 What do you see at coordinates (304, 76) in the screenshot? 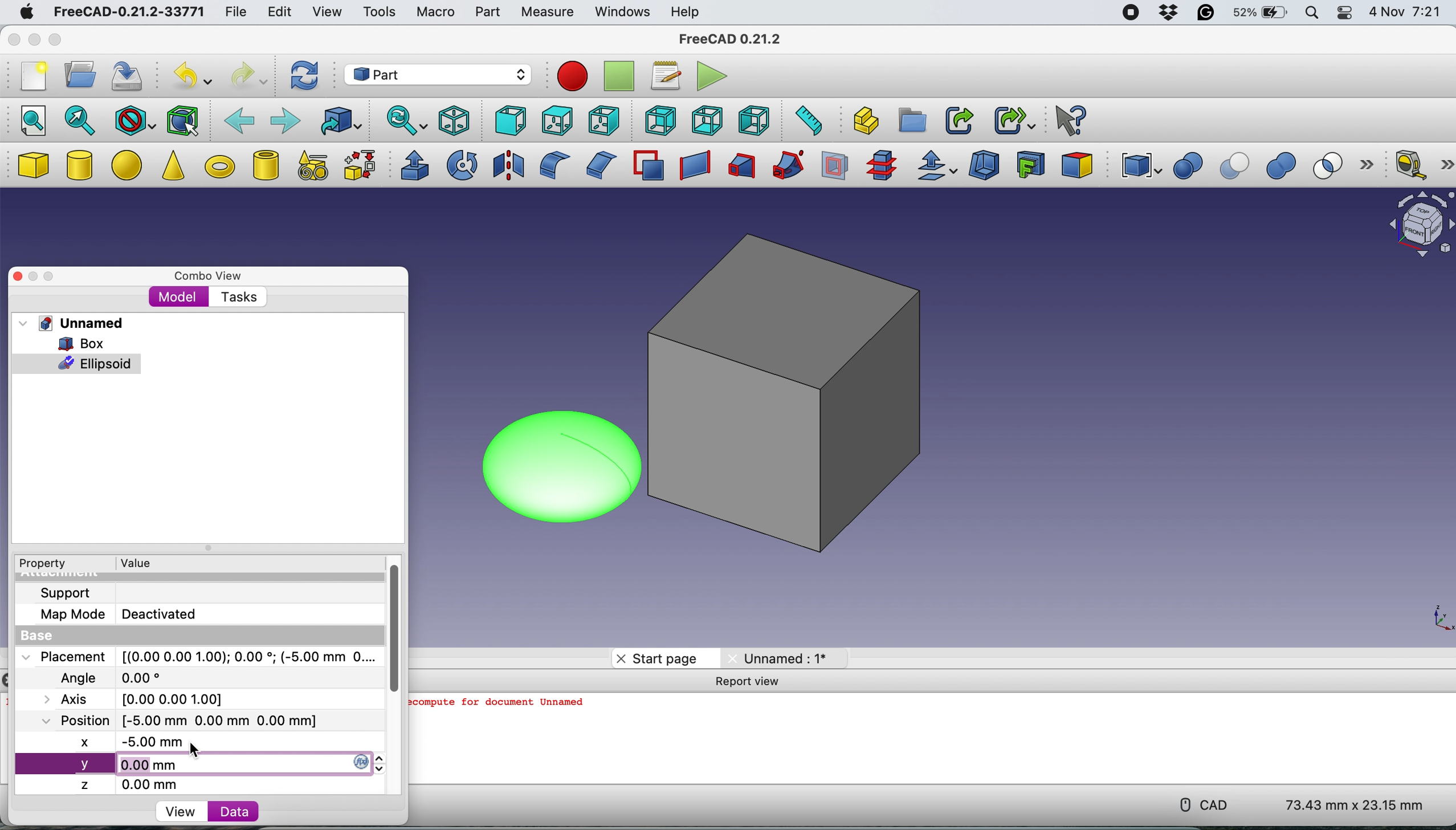
I see `refresh` at bounding box center [304, 76].